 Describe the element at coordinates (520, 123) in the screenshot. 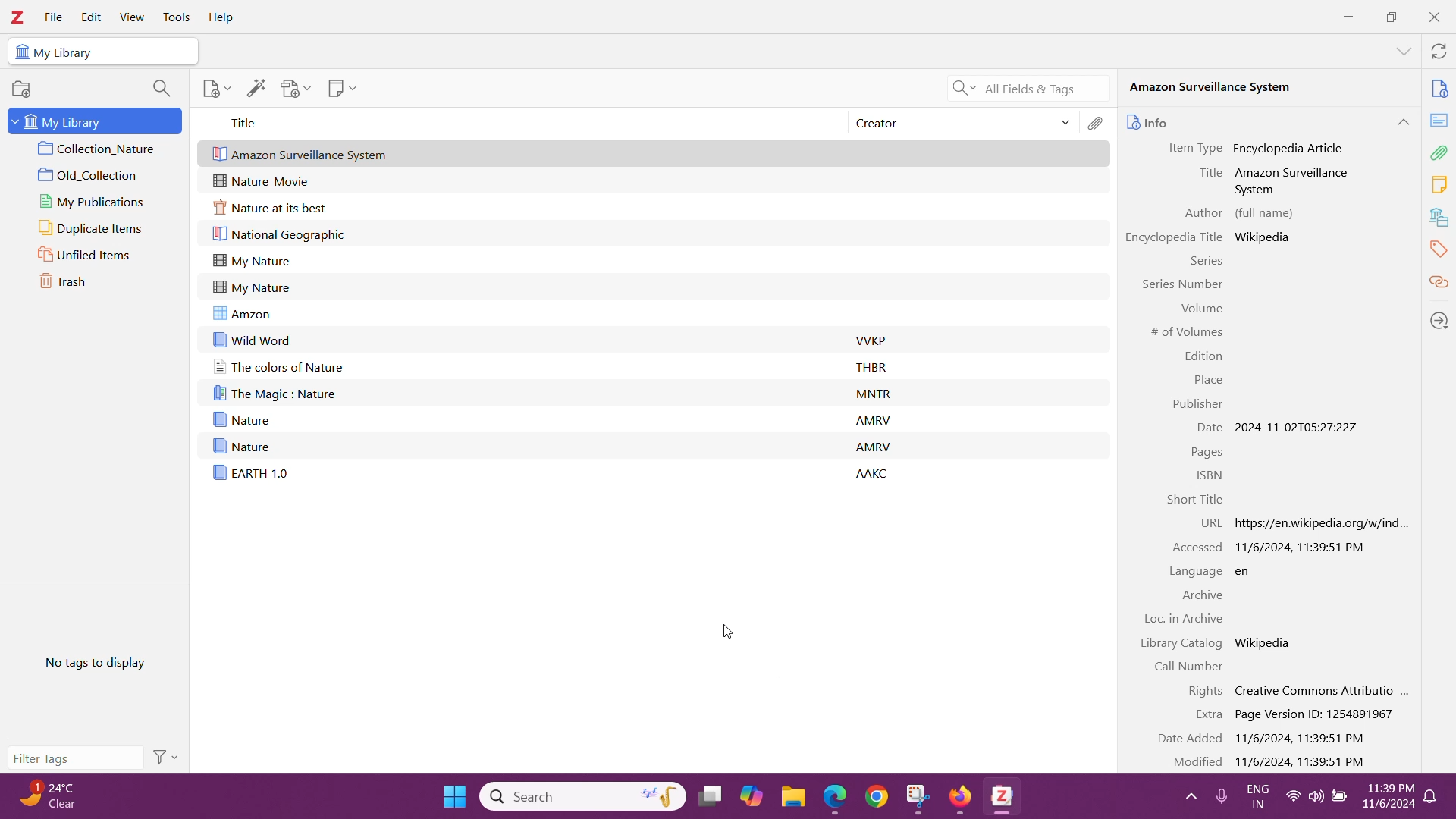

I see `Title` at that location.